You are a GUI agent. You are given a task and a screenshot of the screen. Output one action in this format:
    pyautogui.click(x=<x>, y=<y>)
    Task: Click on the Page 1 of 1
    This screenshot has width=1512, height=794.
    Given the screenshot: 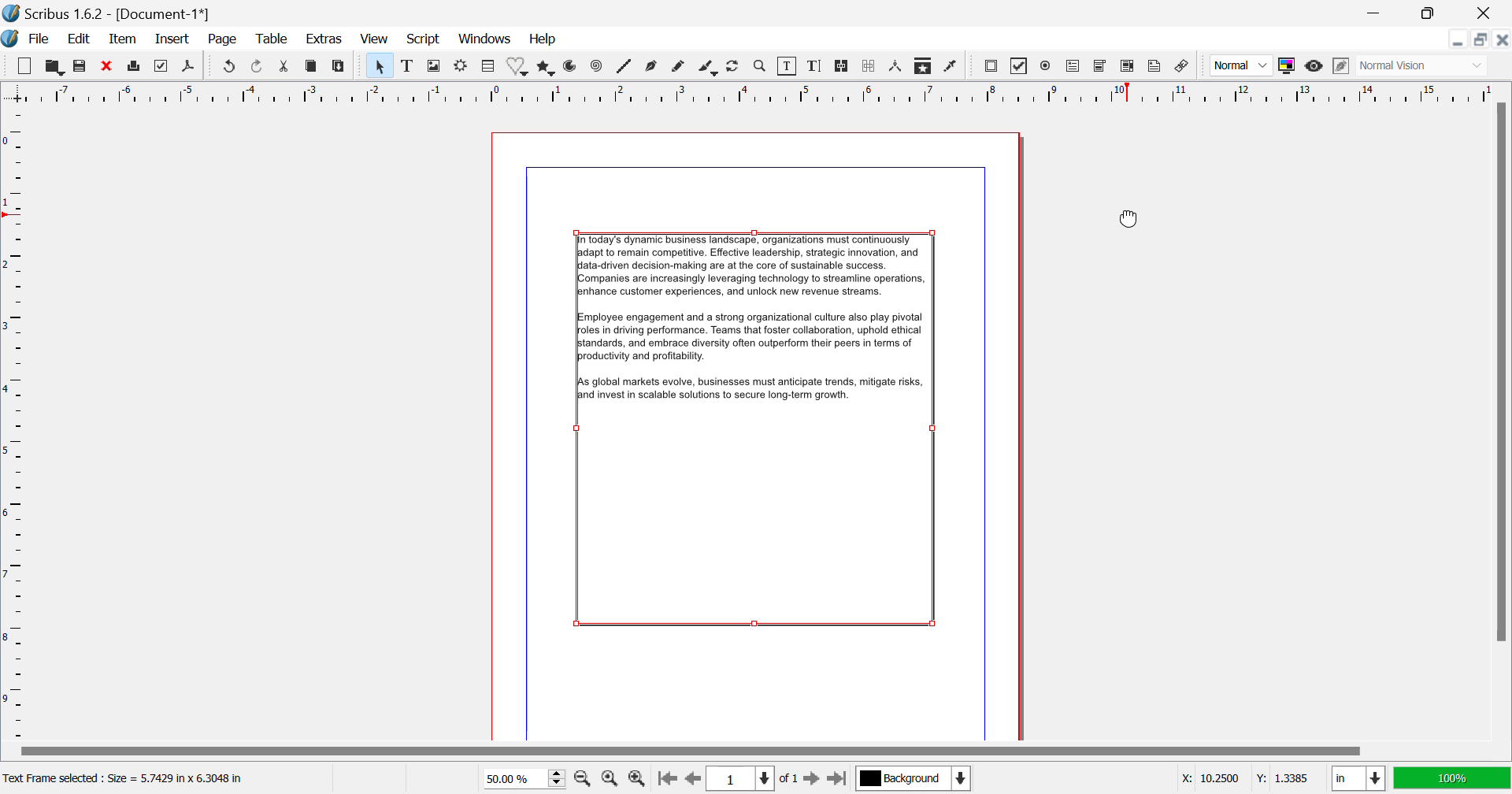 What is the action you would take?
    pyautogui.click(x=755, y=780)
    